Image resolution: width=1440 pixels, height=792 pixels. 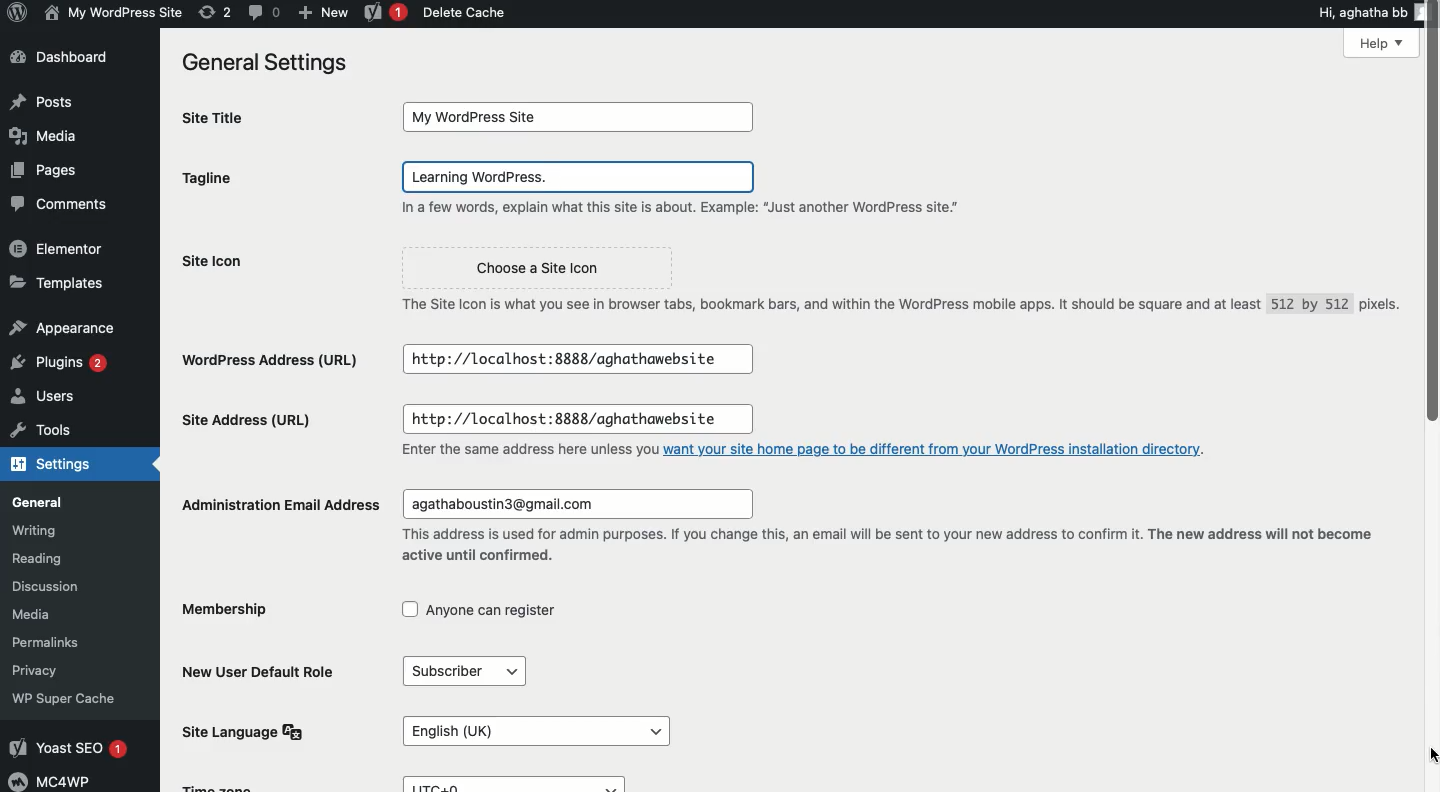 I want to click on Membership, so click(x=228, y=611).